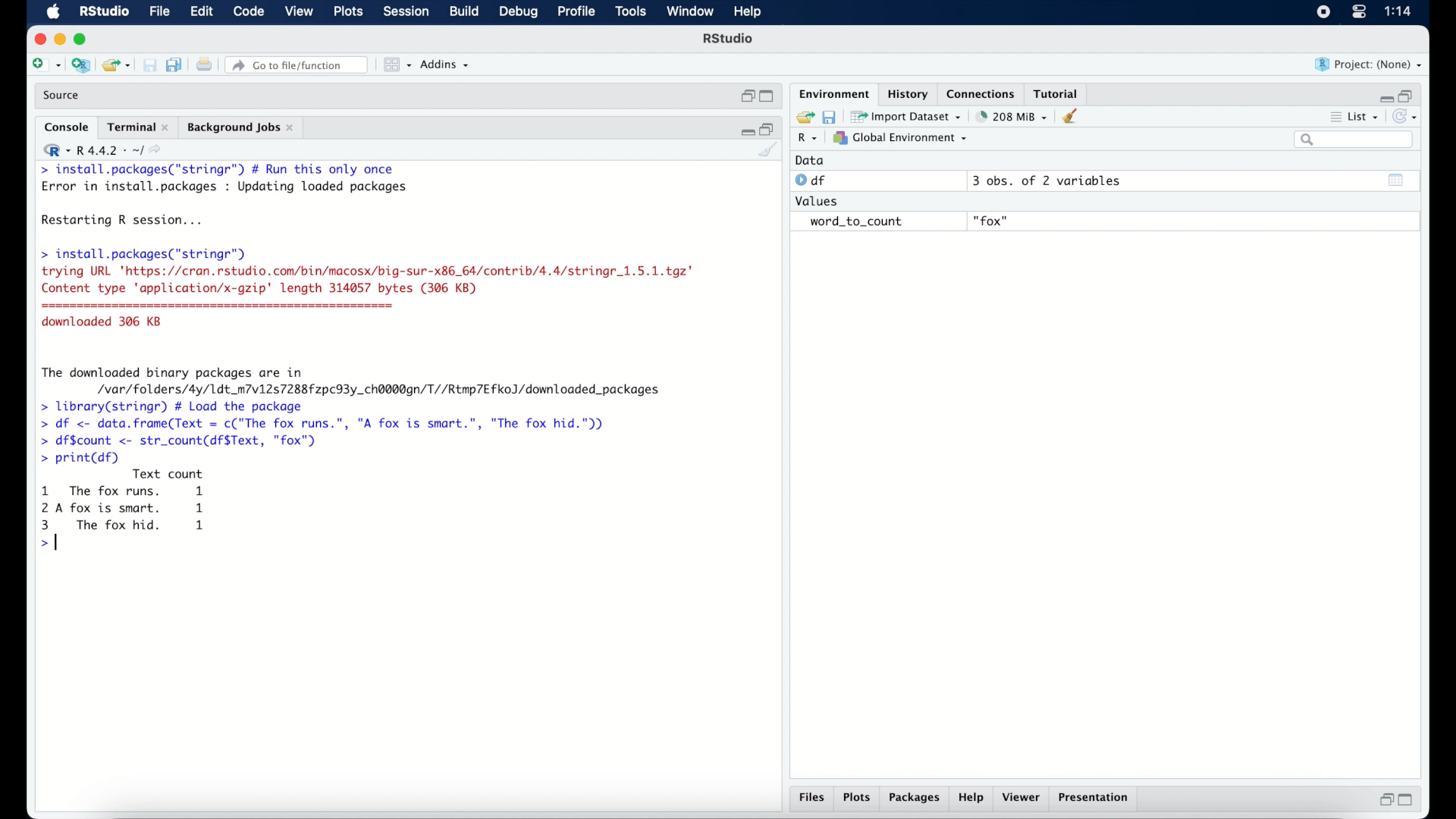  Describe the element at coordinates (519, 13) in the screenshot. I see `debug` at that location.